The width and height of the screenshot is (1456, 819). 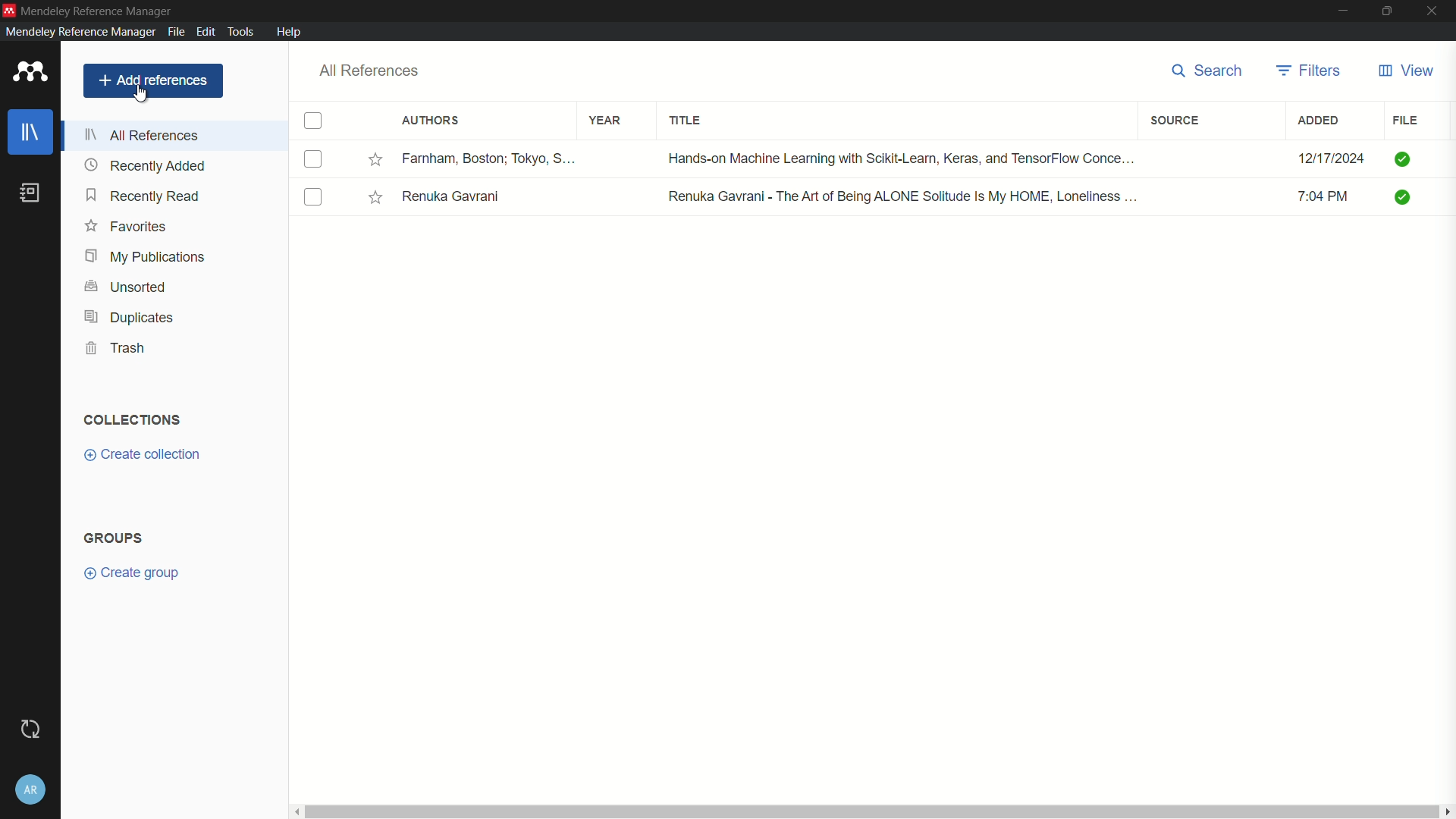 I want to click on Hands-on Machine Learning with Scikit-Learn, Keras, and TensorFlow Conce..., so click(x=904, y=157).